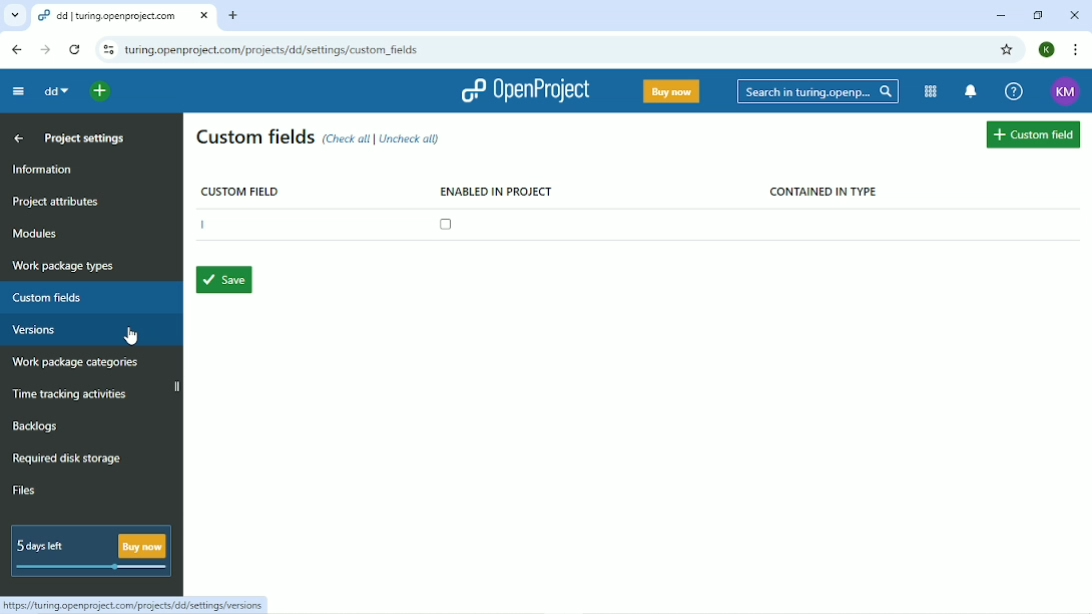 The width and height of the screenshot is (1092, 614). Describe the element at coordinates (28, 489) in the screenshot. I see `Files` at that location.